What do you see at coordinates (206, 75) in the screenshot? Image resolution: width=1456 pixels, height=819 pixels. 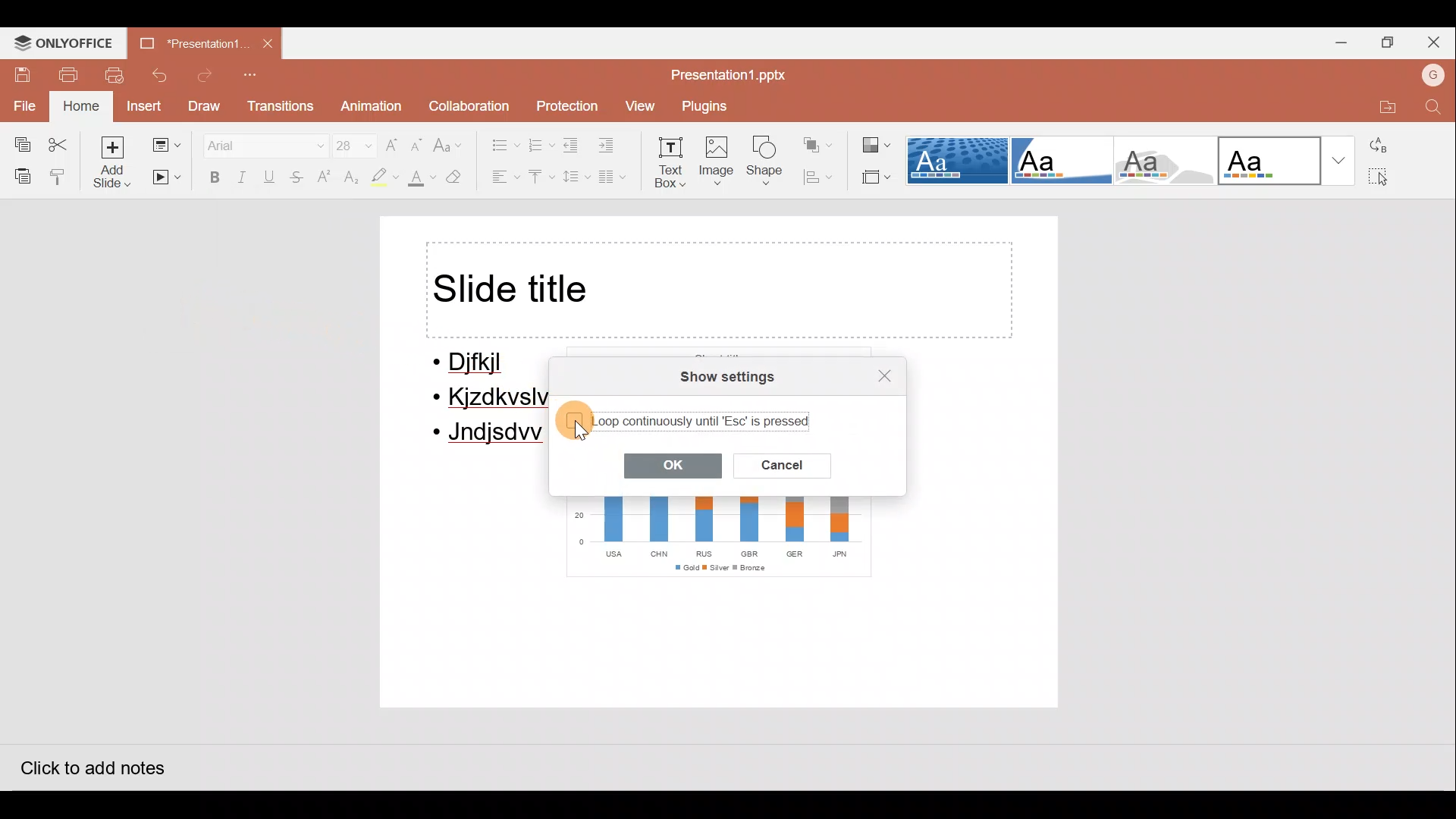 I see `Redo` at bounding box center [206, 75].